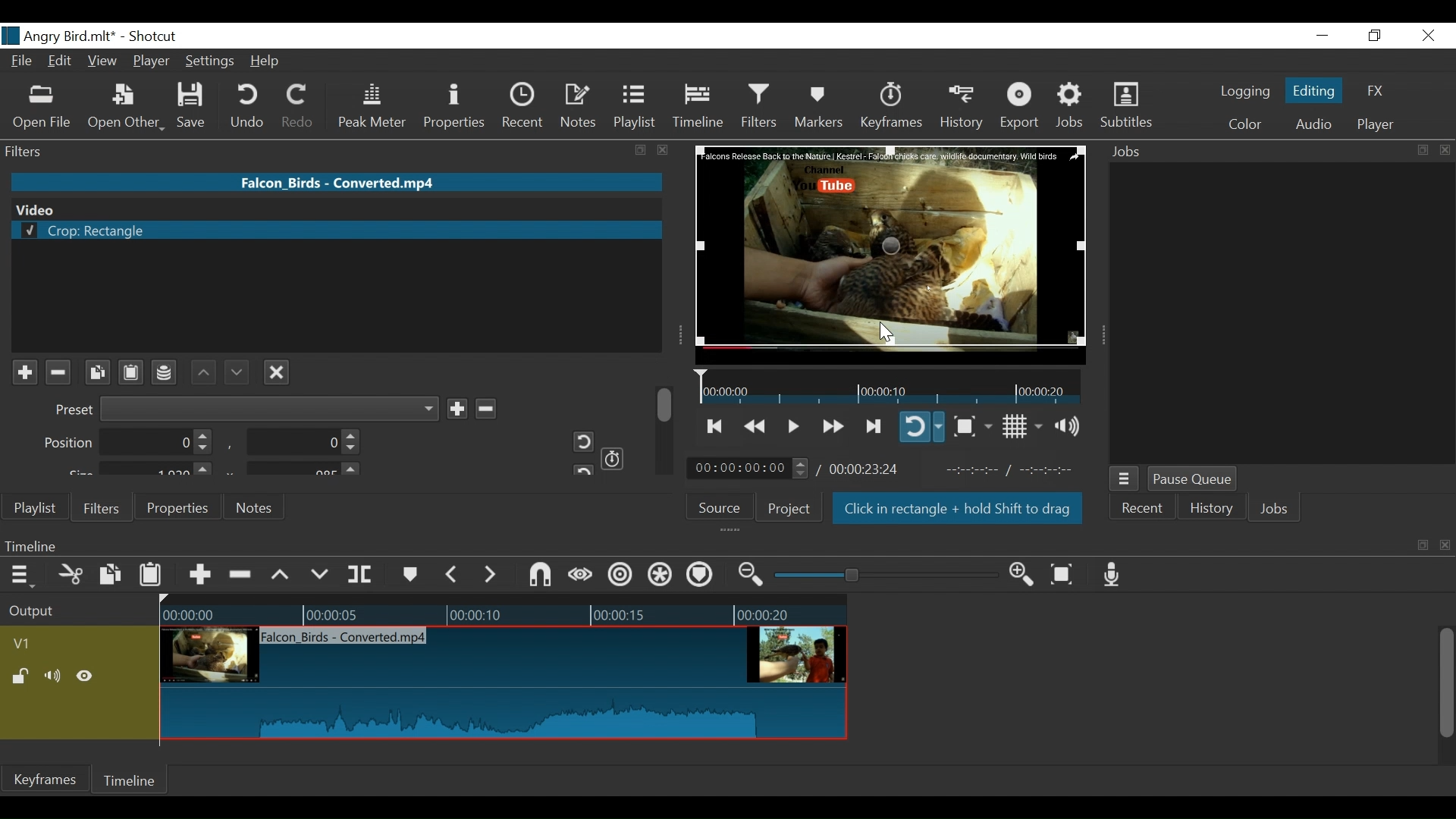 The height and width of the screenshot is (819, 1456). Describe the element at coordinates (526, 106) in the screenshot. I see `Recent` at that location.